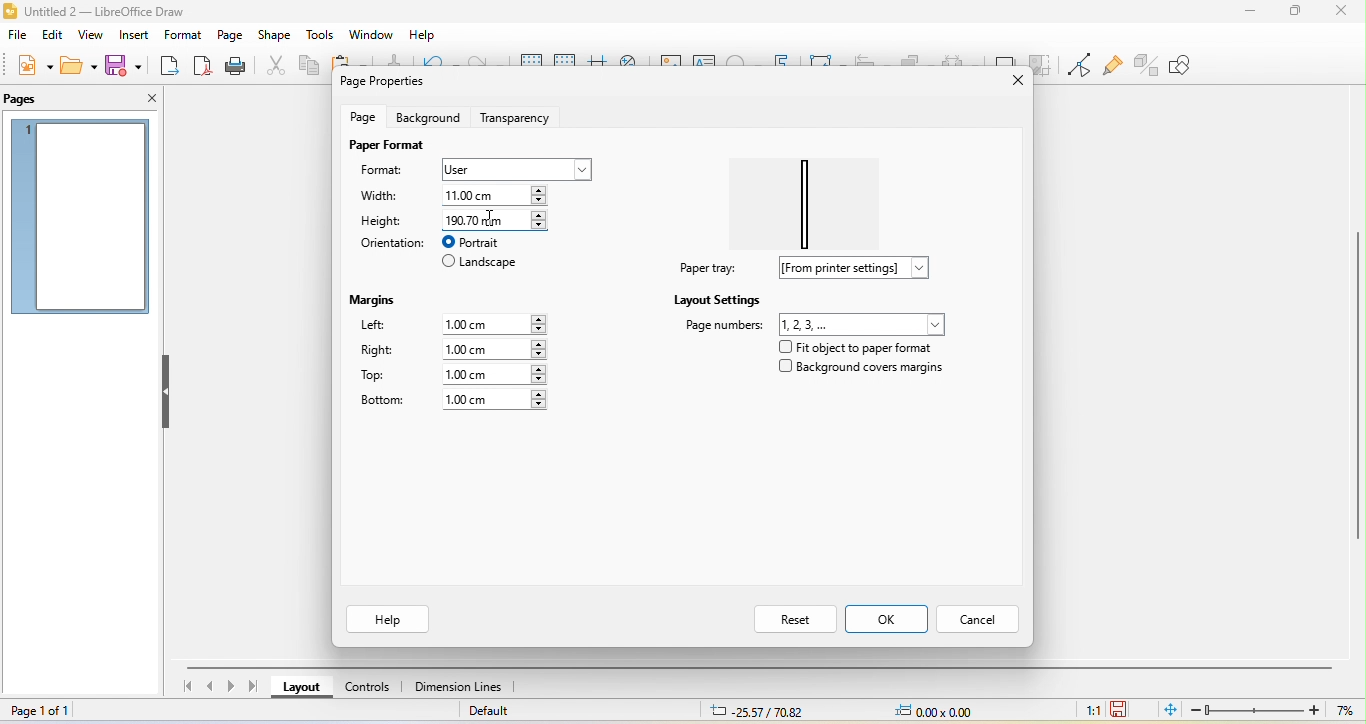  I want to click on paper format, so click(386, 145).